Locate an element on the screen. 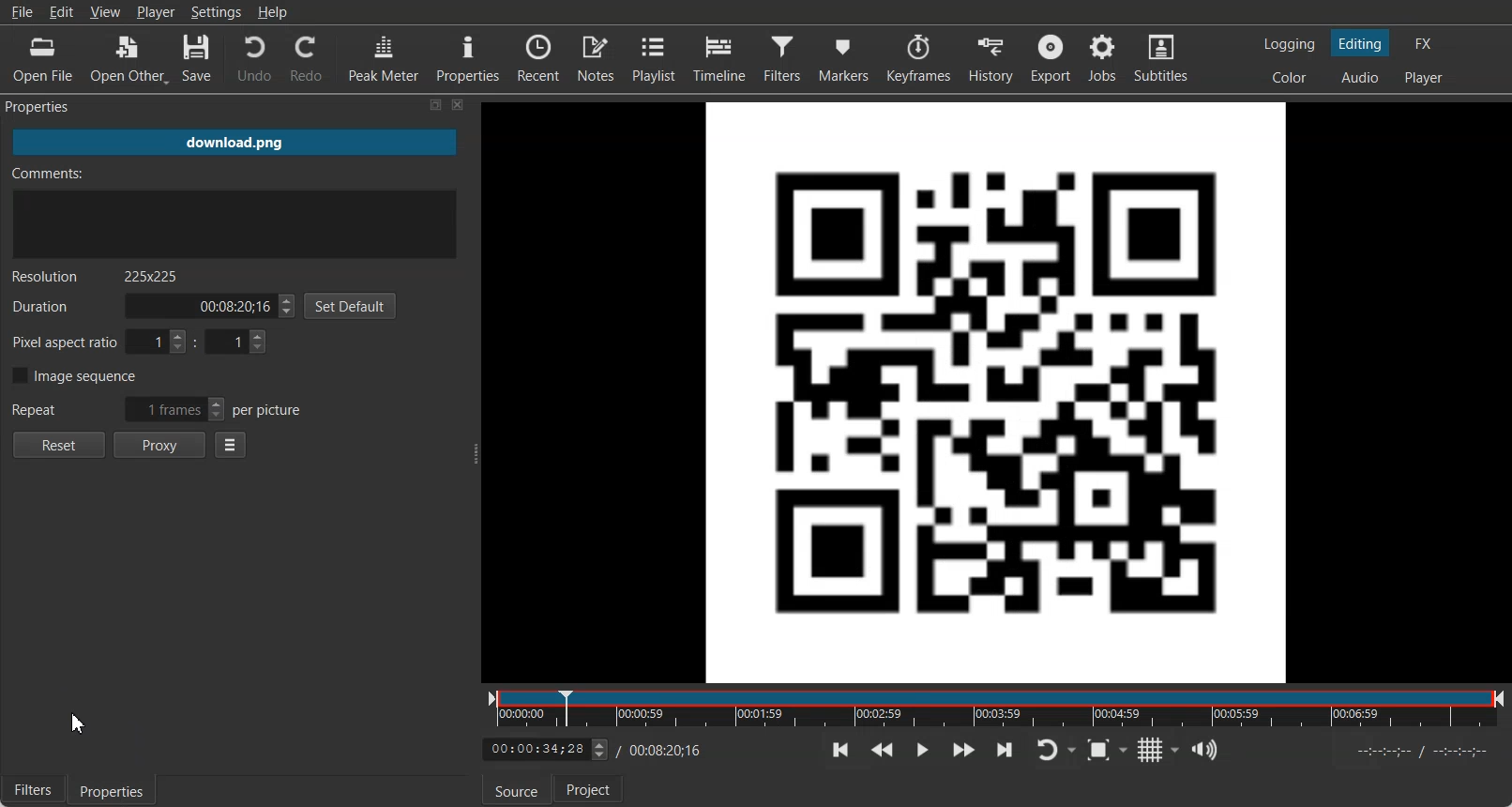 This screenshot has width=1512, height=807. Show the volume control is located at coordinates (1205, 750).